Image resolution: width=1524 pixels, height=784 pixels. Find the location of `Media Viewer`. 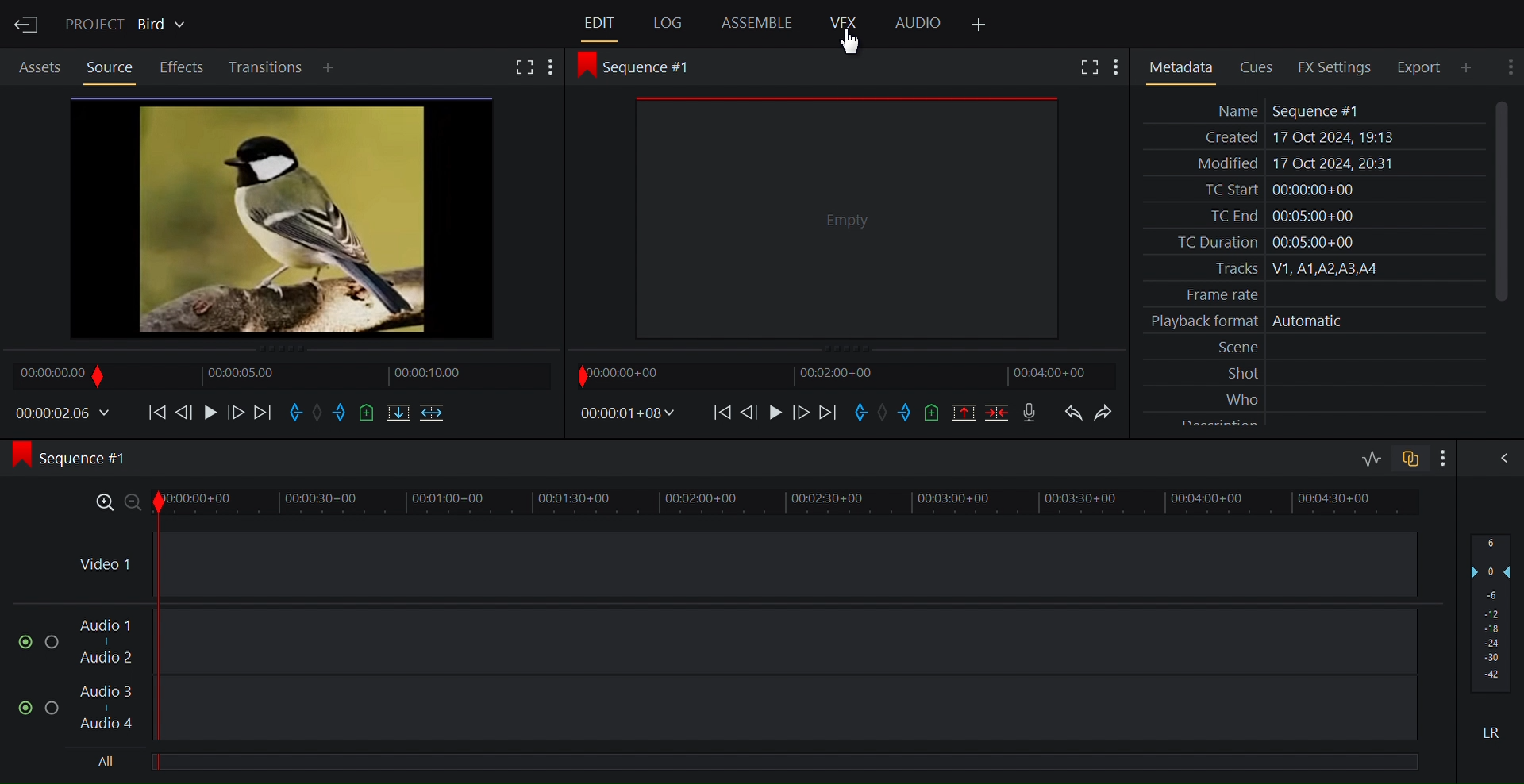

Media Viewer is located at coordinates (845, 217).